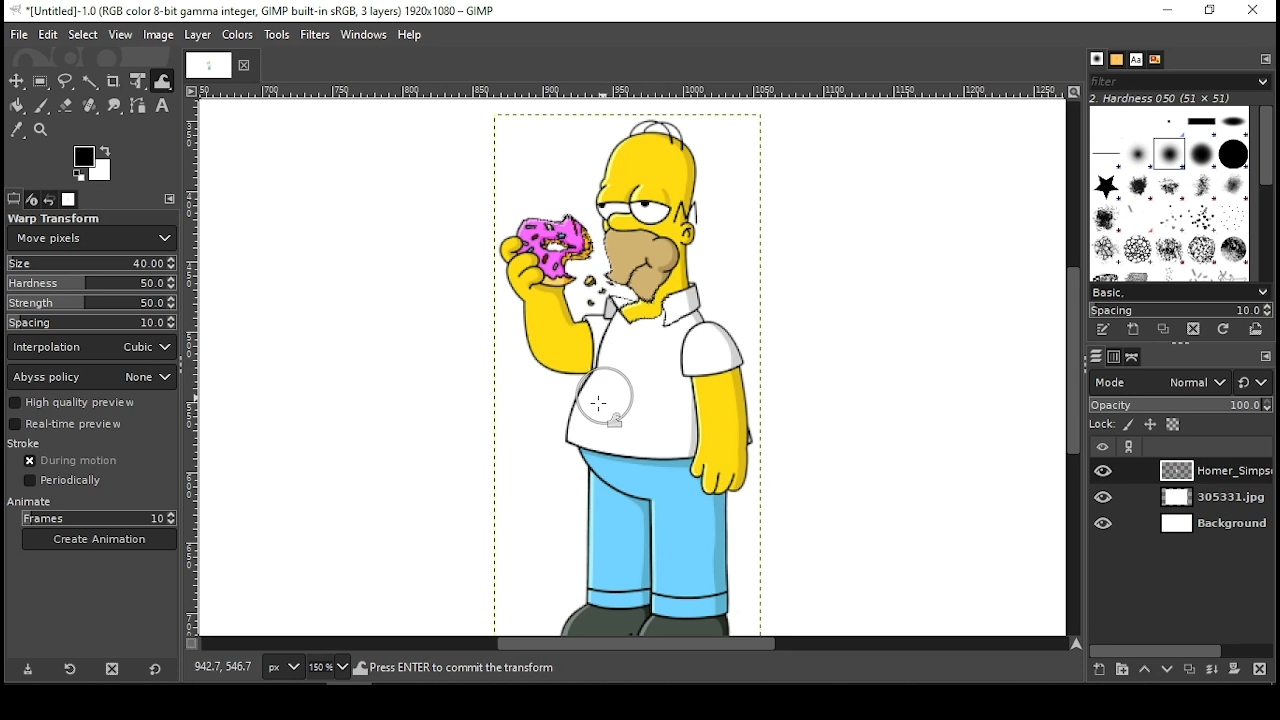 Image resolution: width=1280 pixels, height=720 pixels. What do you see at coordinates (330, 671) in the screenshot?
I see `zoom level` at bounding box center [330, 671].